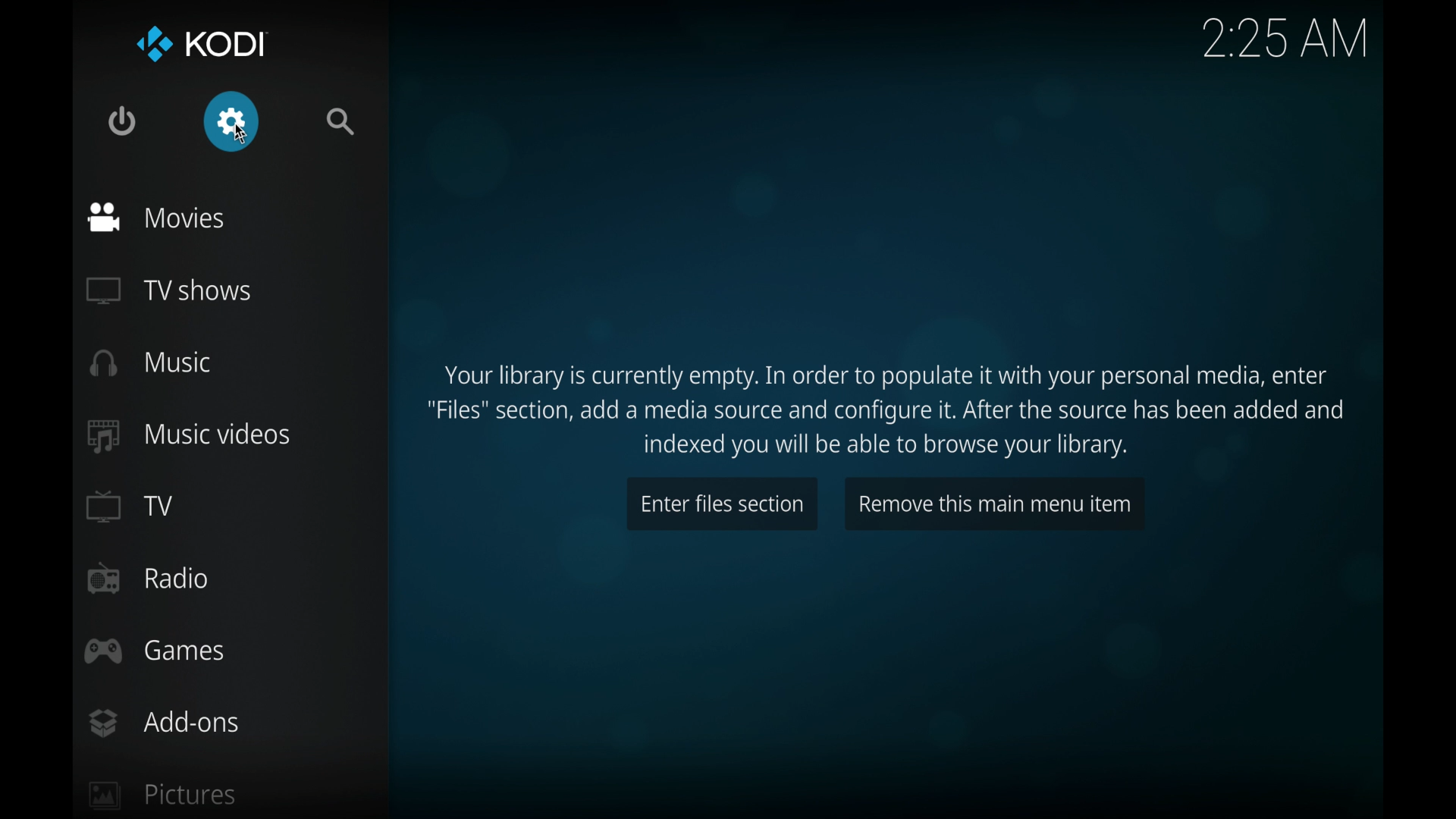  What do you see at coordinates (163, 795) in the screenshot?
I see `pictures` at bounding box center [163, 795].